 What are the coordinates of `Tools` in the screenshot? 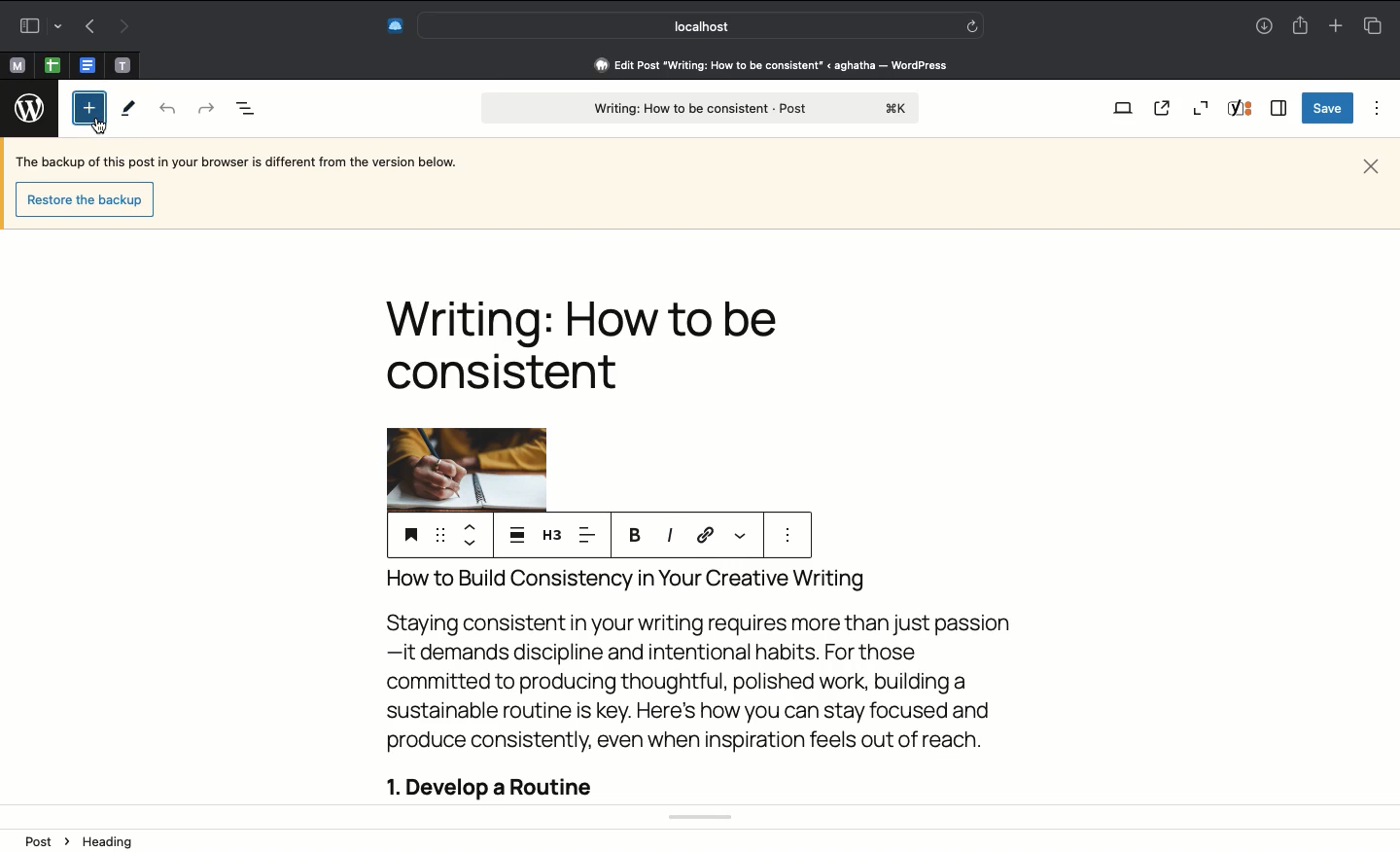 It's located at (130, 108).